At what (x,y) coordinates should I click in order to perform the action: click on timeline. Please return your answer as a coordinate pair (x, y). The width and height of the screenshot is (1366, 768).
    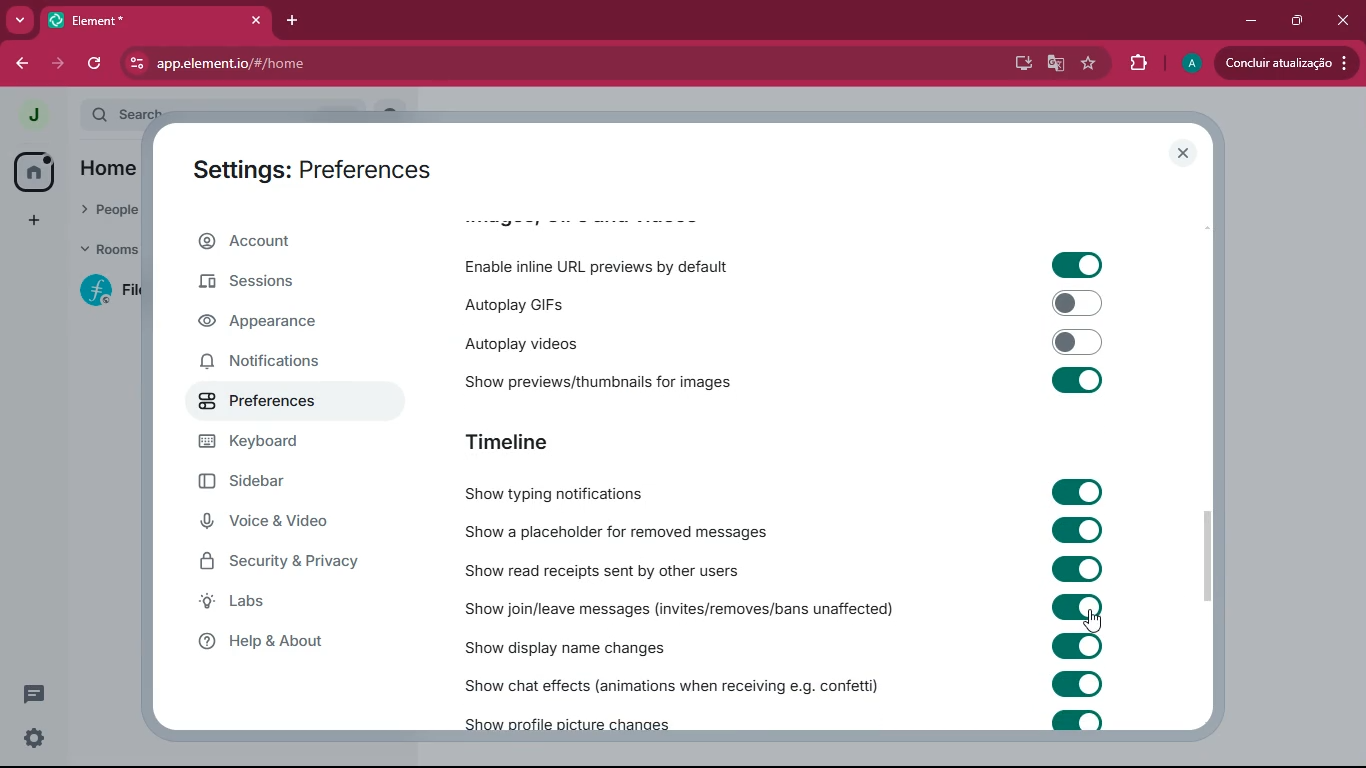
    Looking at the image, I should click on (546, 441).